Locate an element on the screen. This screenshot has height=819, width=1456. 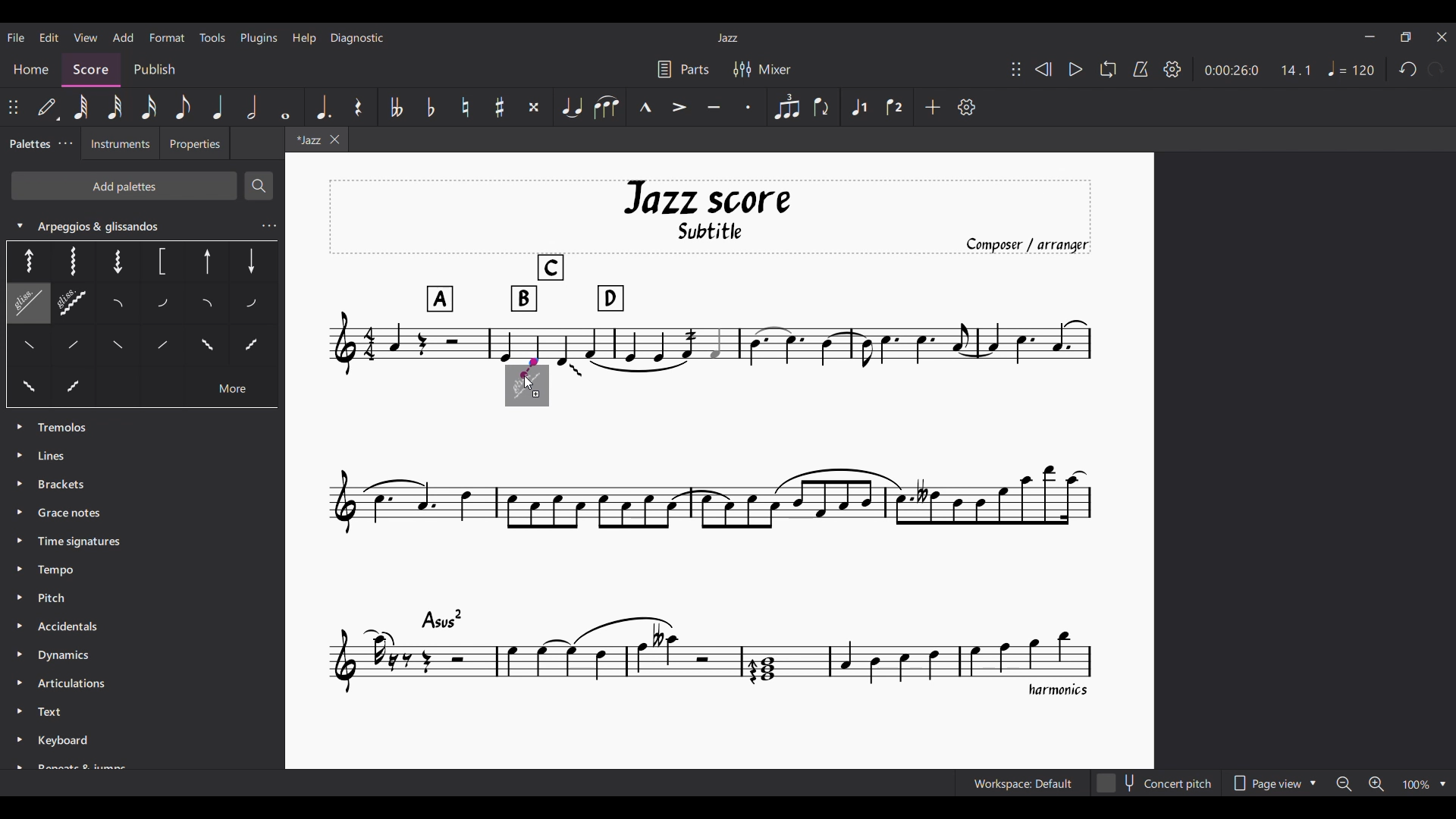
Lines is located at coordinates (65, 454).